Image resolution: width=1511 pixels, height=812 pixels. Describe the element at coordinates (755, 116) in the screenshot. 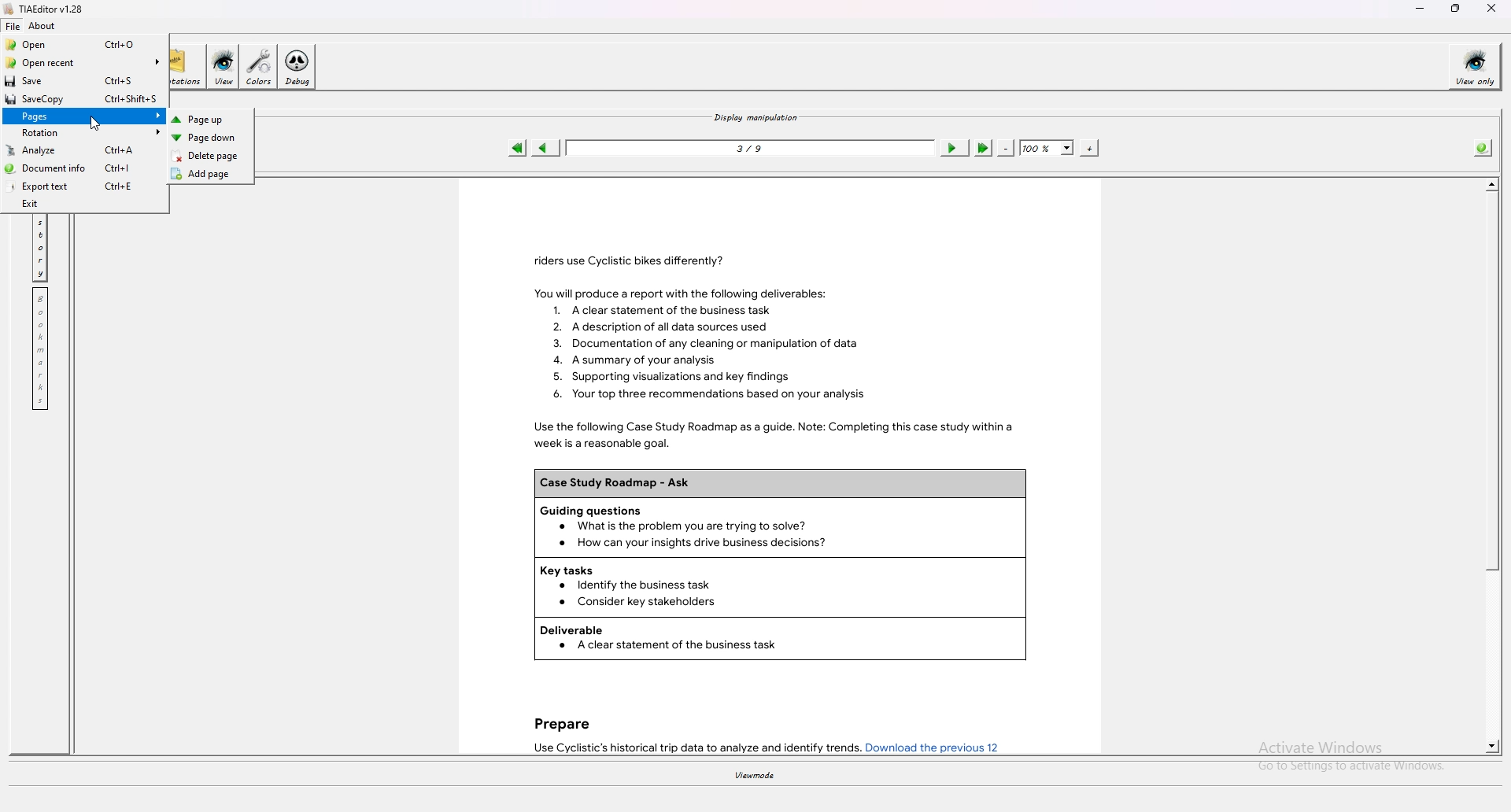

I see `display manipulation` at that location.